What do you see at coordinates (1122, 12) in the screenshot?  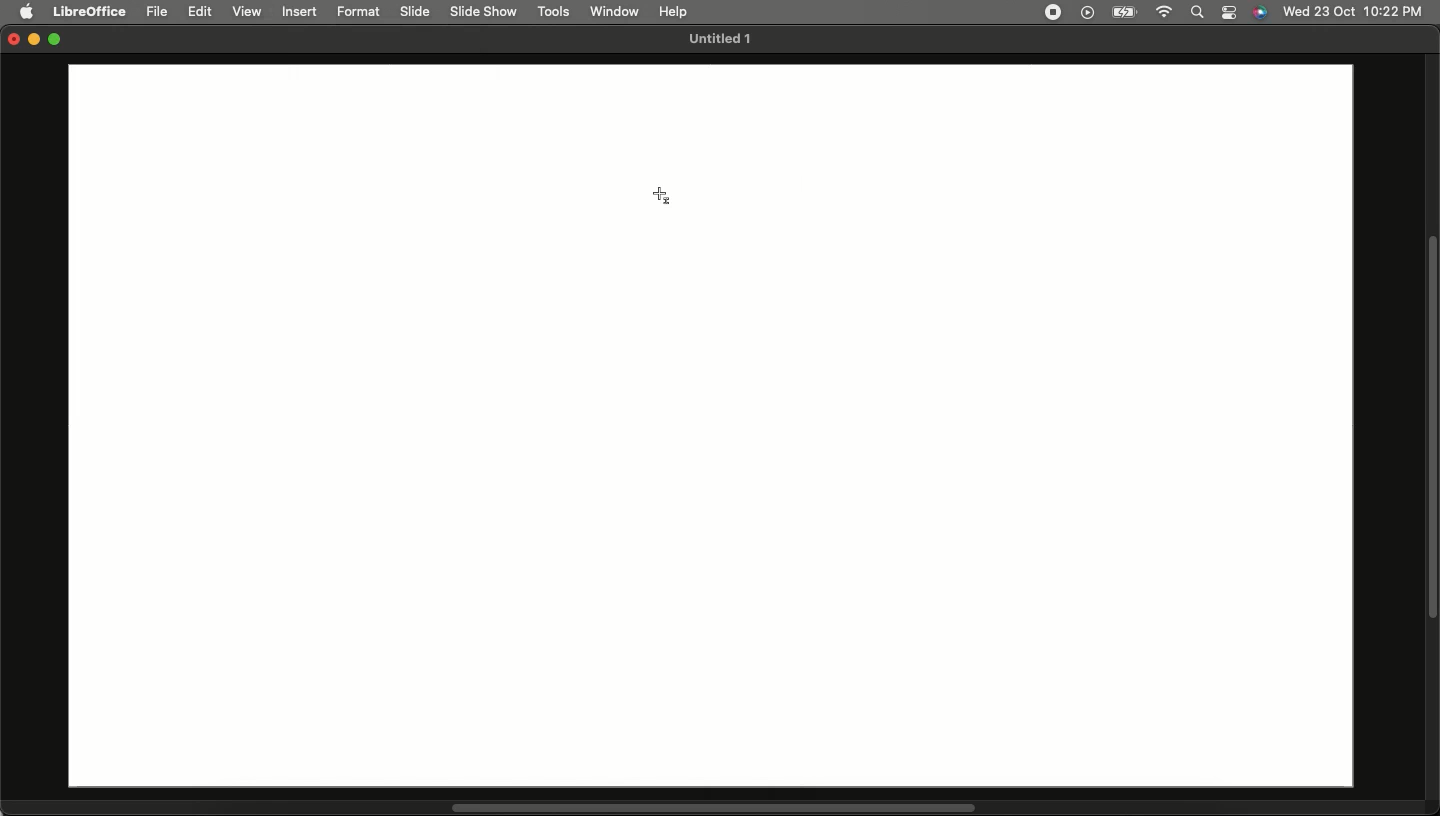 I see `Charge` at bounding box center [1122, 12].